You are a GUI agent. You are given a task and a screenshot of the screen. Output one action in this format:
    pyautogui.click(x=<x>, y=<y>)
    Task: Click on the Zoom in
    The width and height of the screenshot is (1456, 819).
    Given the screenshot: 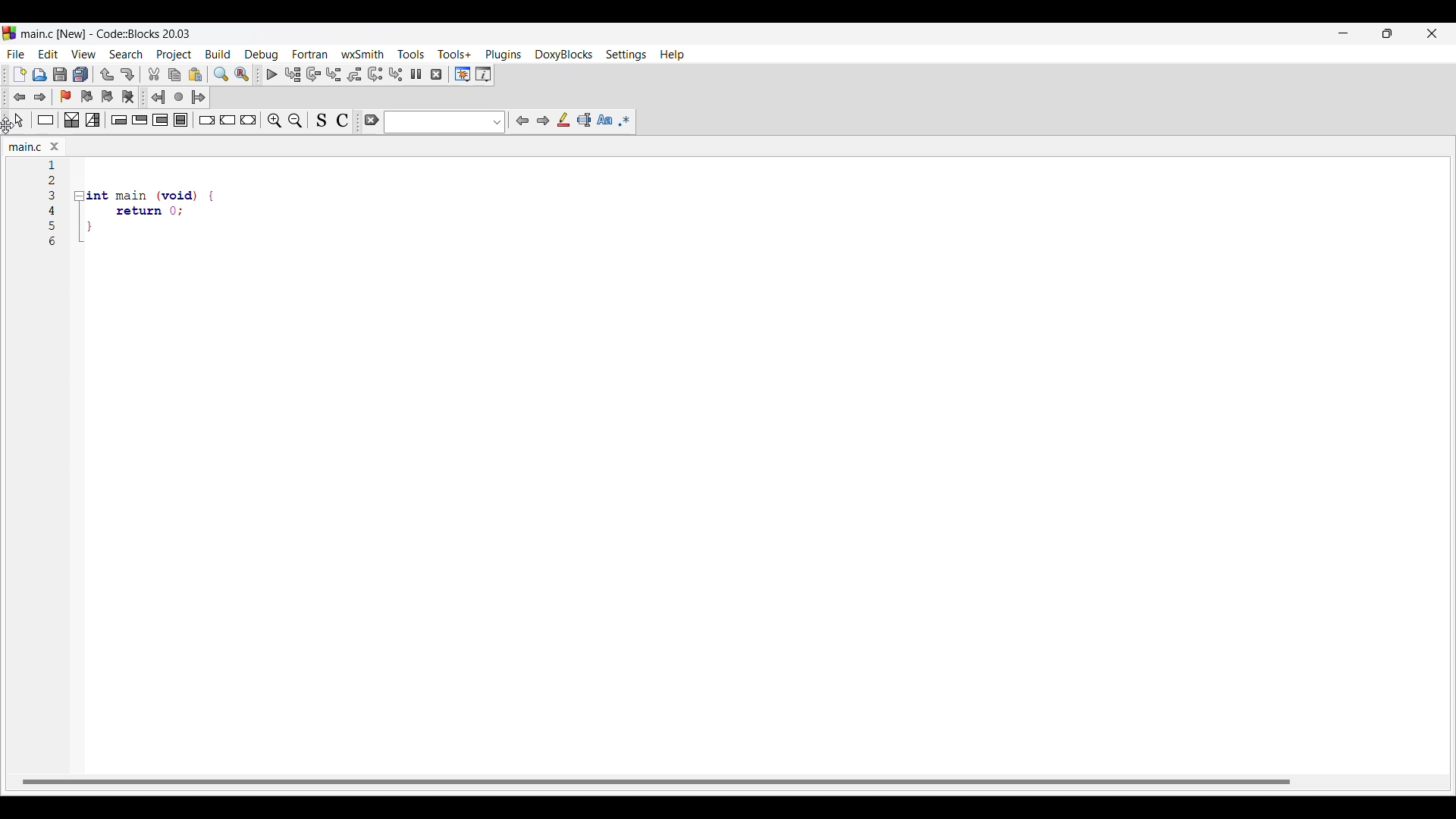 What is the action you would take?
    pyautogui.click(x=275, y=122)
    